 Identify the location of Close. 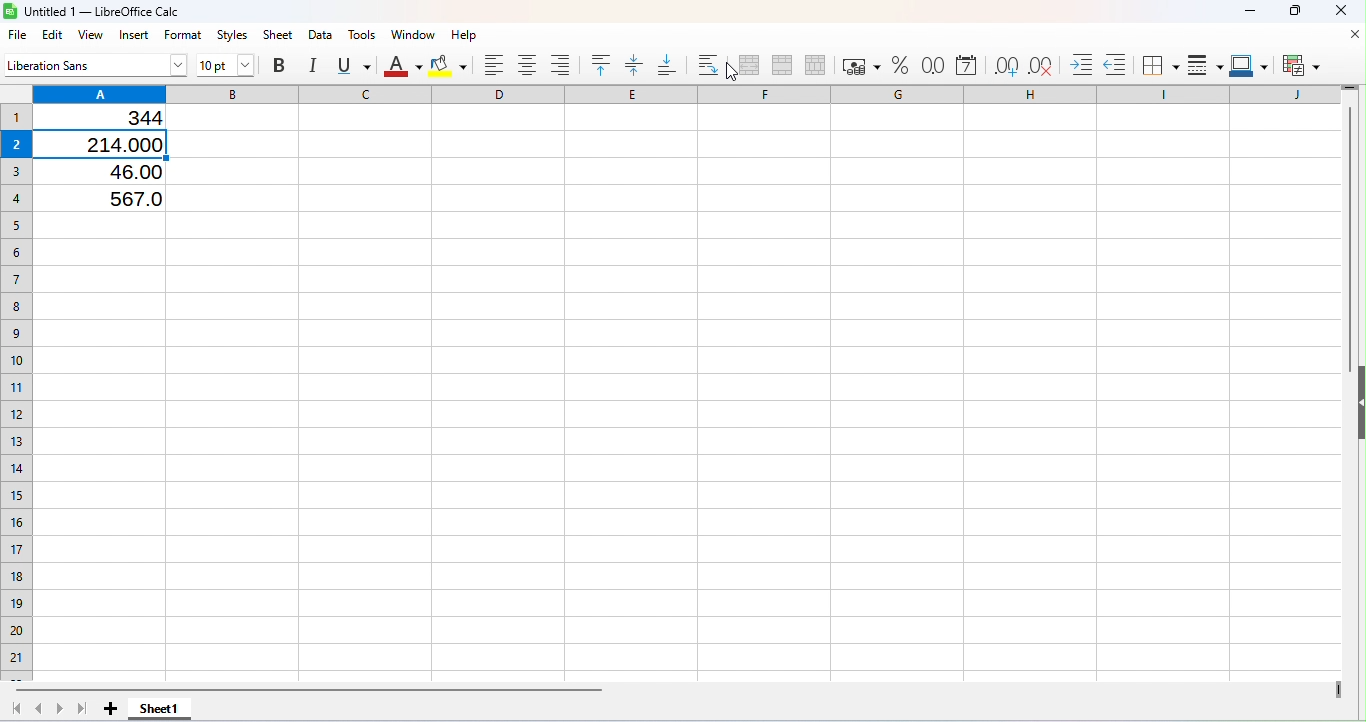
(1334, 12).